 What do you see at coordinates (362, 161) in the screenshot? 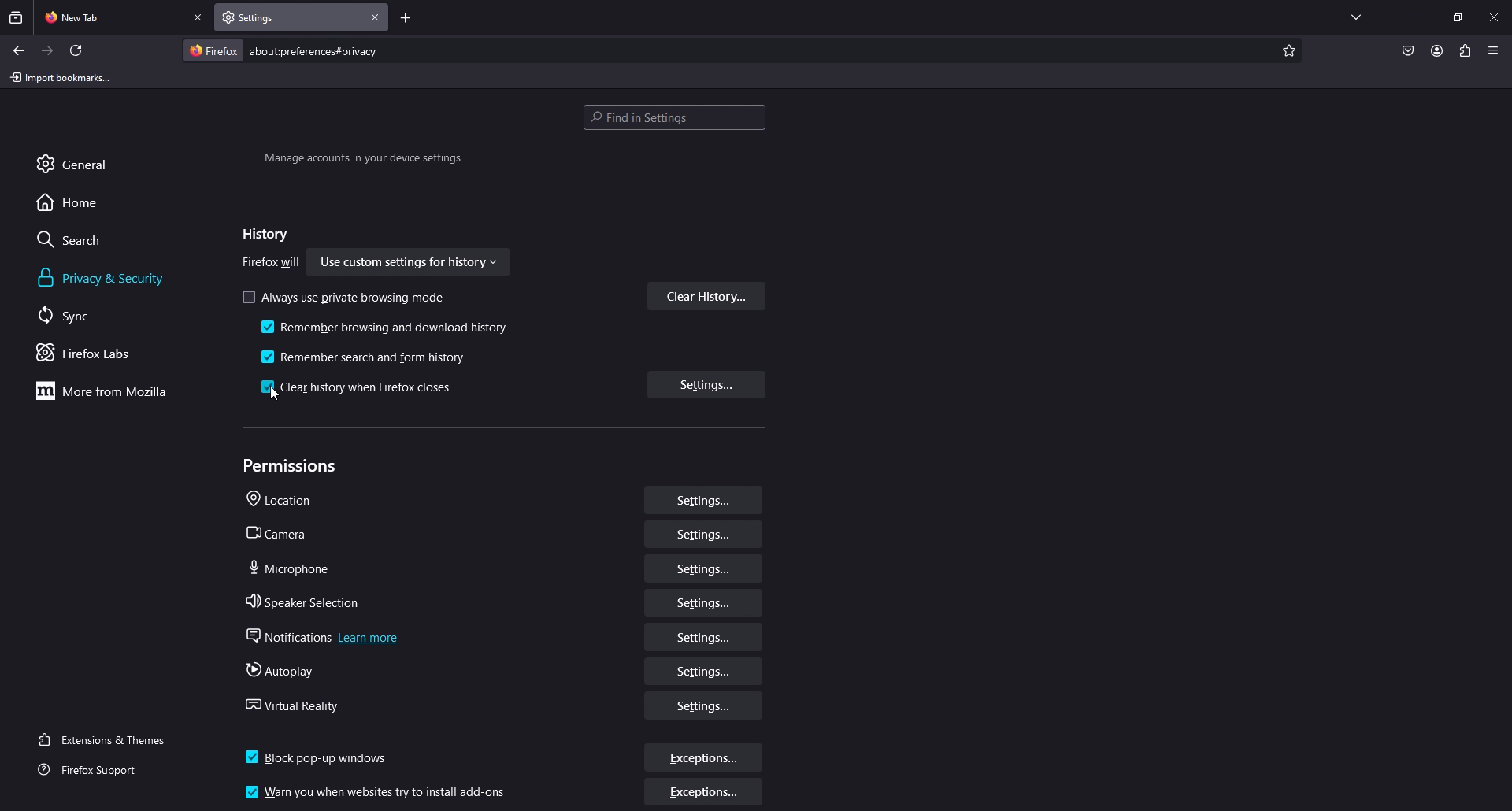
I see `Manage accounts in your device settings` at bounding box center [362, 161].